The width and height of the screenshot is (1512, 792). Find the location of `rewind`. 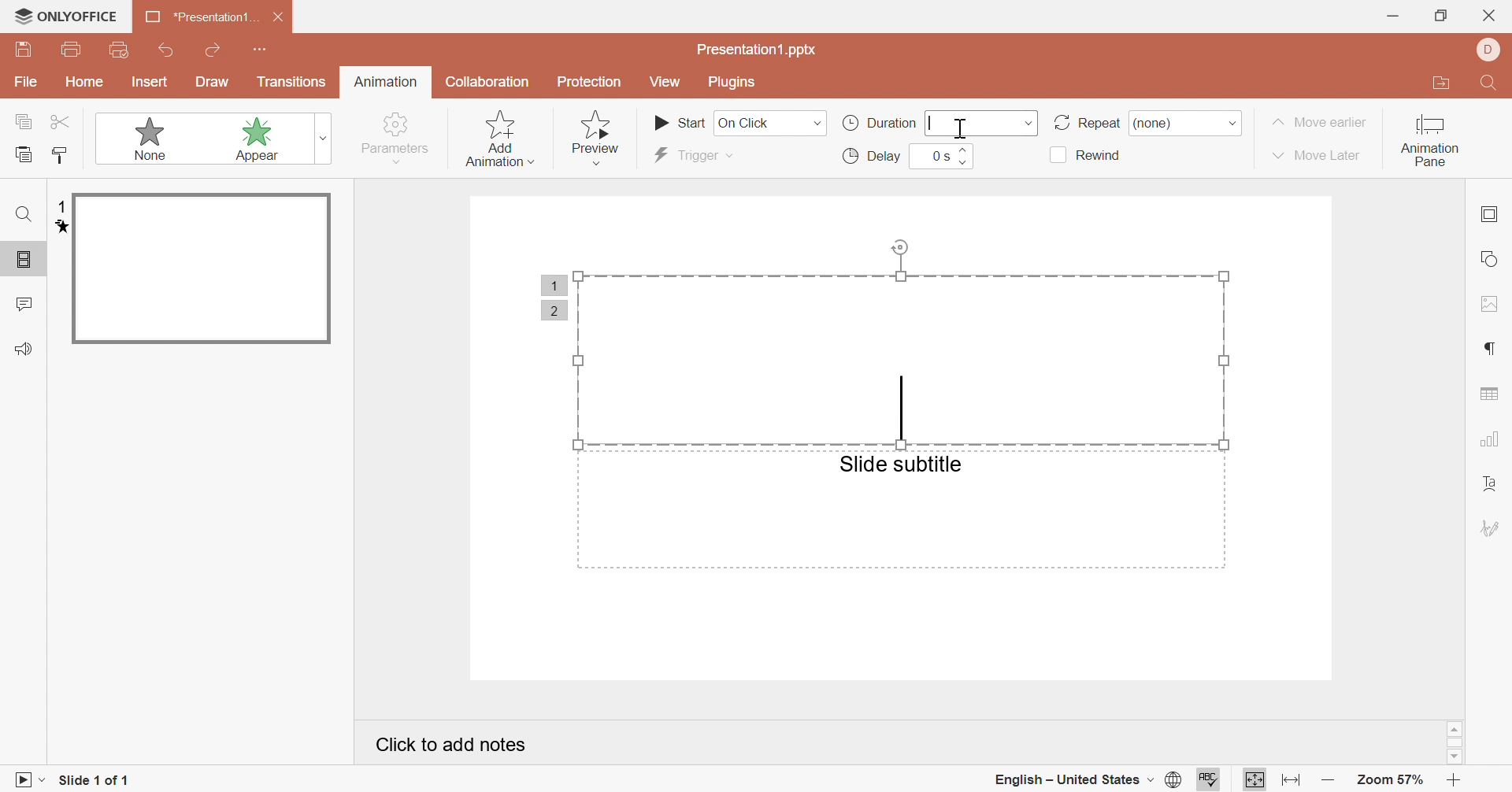

rewind is located at coordinates (1087, 156).